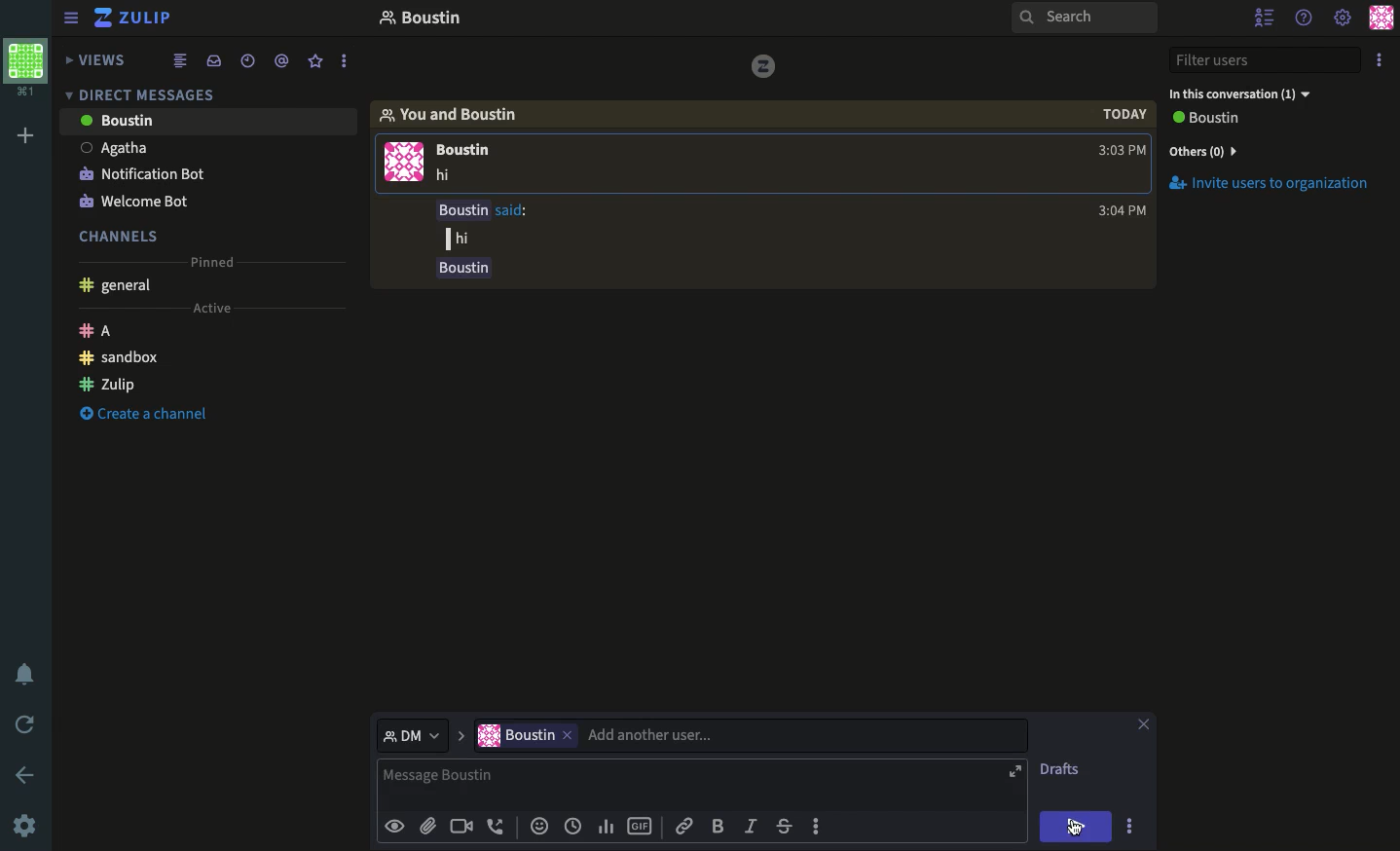  I want to click on Sandbox, so click(122, 357).